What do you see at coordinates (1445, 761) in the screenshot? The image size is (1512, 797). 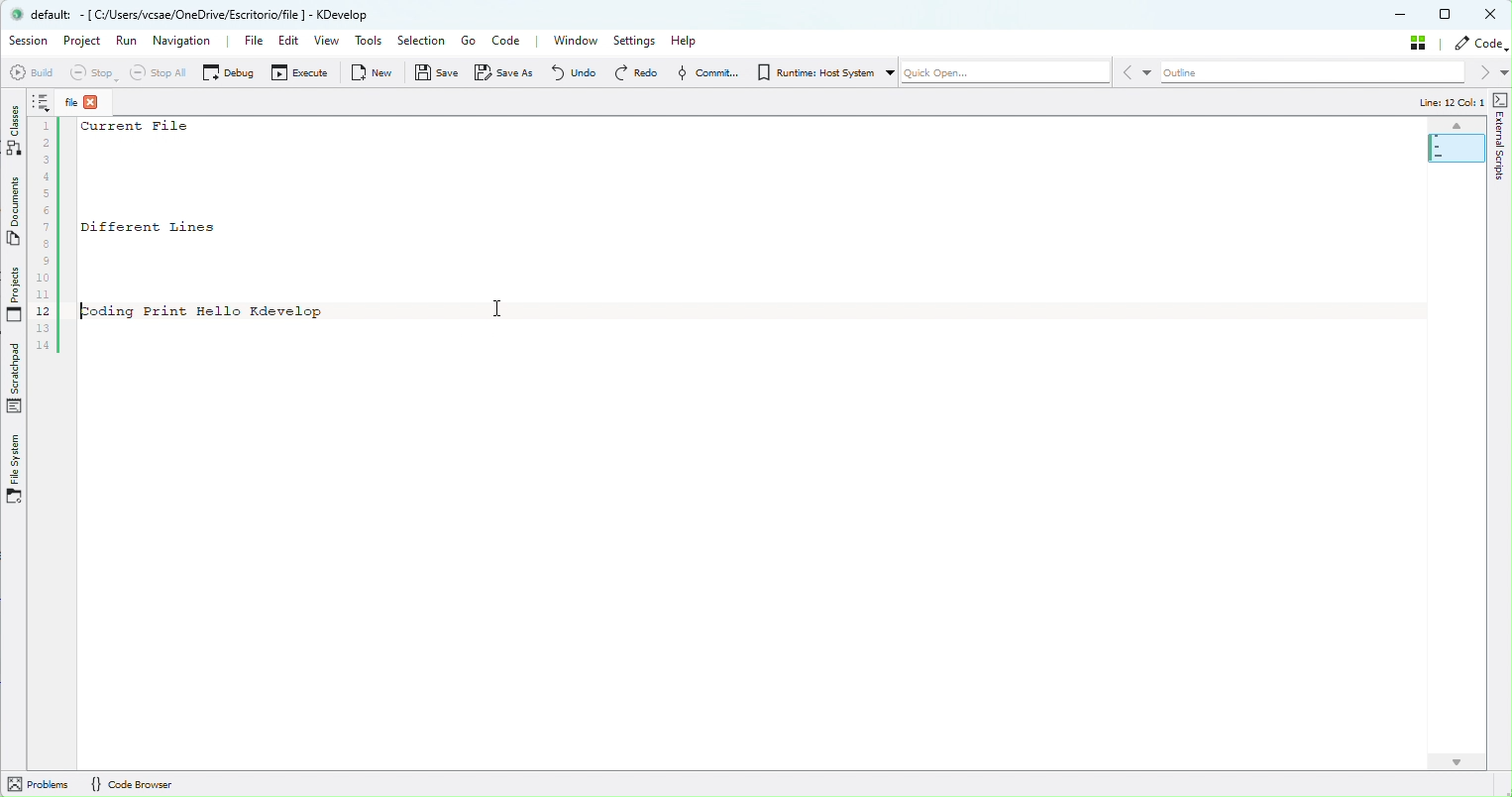 I see `Page Scroll Arrow` at bounding box center [1445, 761].